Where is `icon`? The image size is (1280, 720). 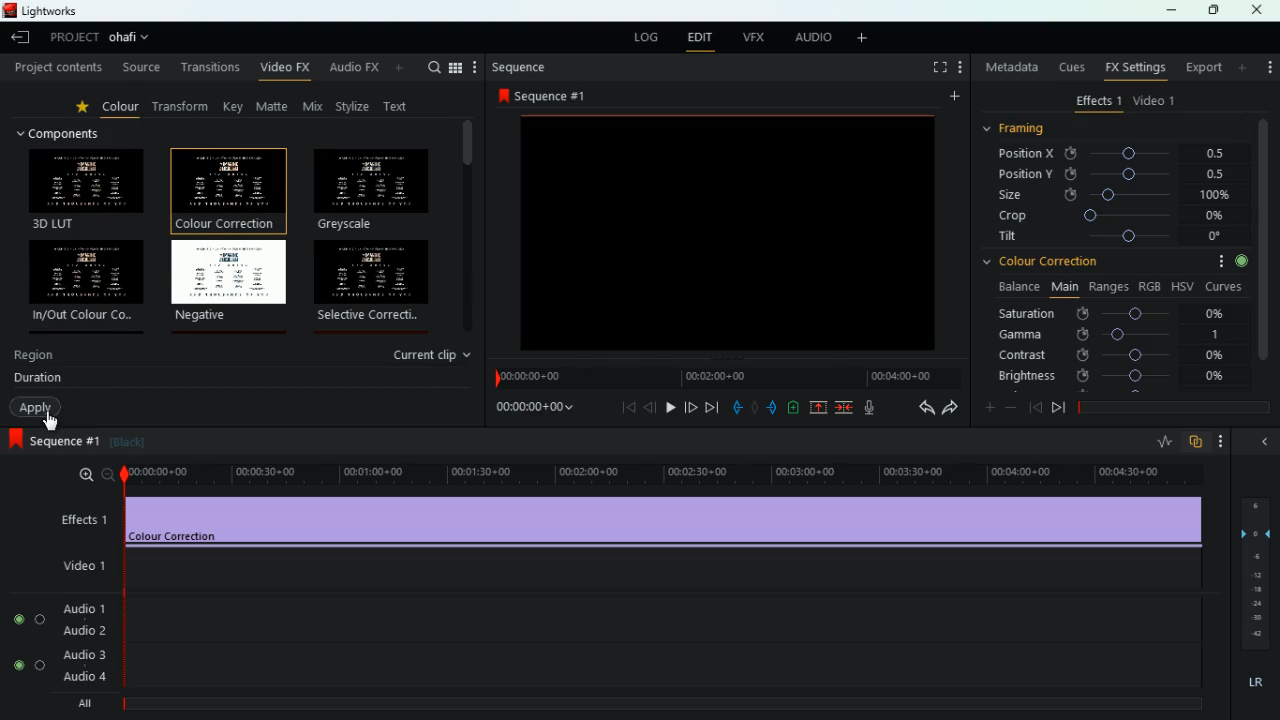
icon is located at coordinates (14, 440).